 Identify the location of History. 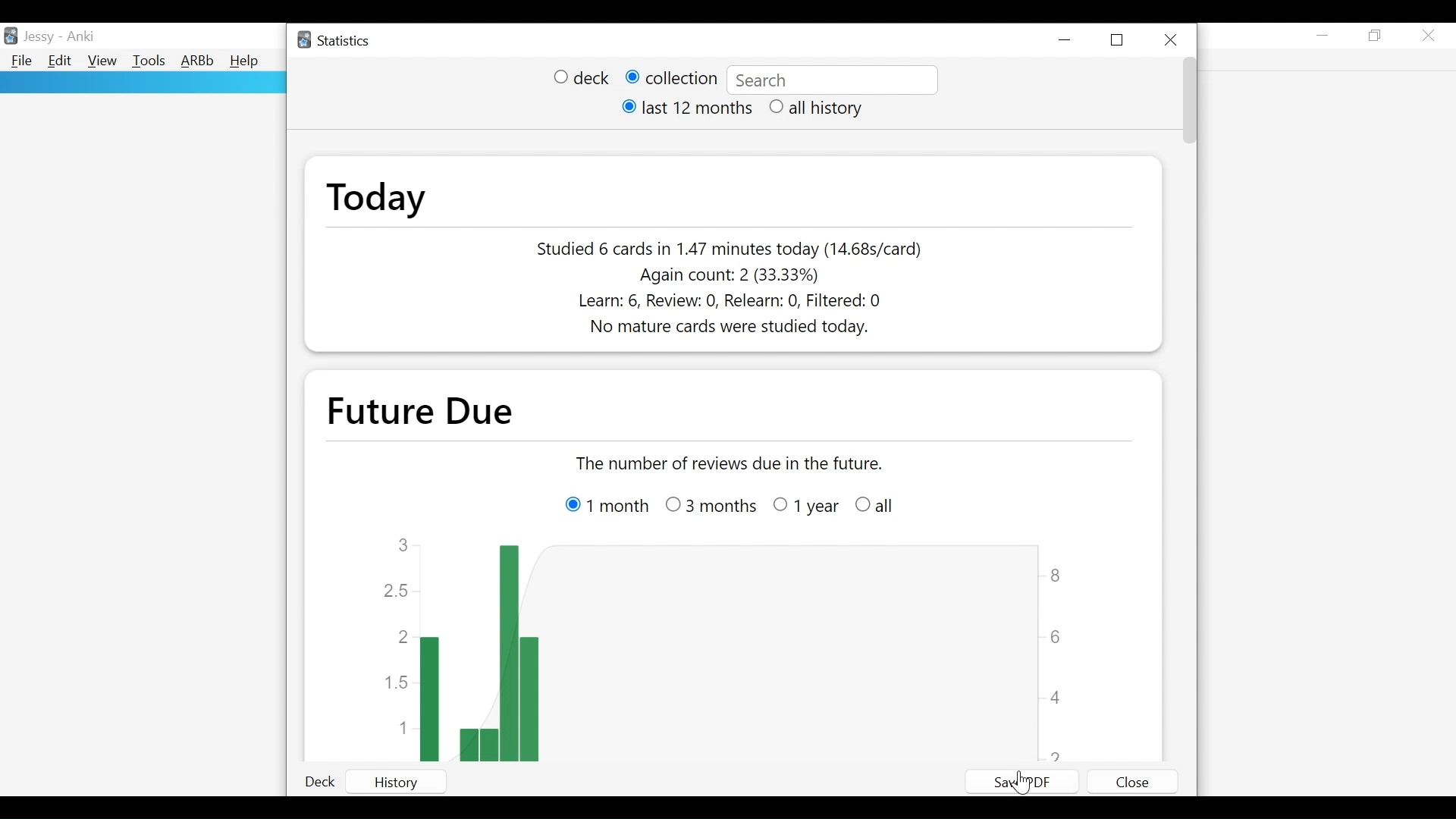
(411, 782).